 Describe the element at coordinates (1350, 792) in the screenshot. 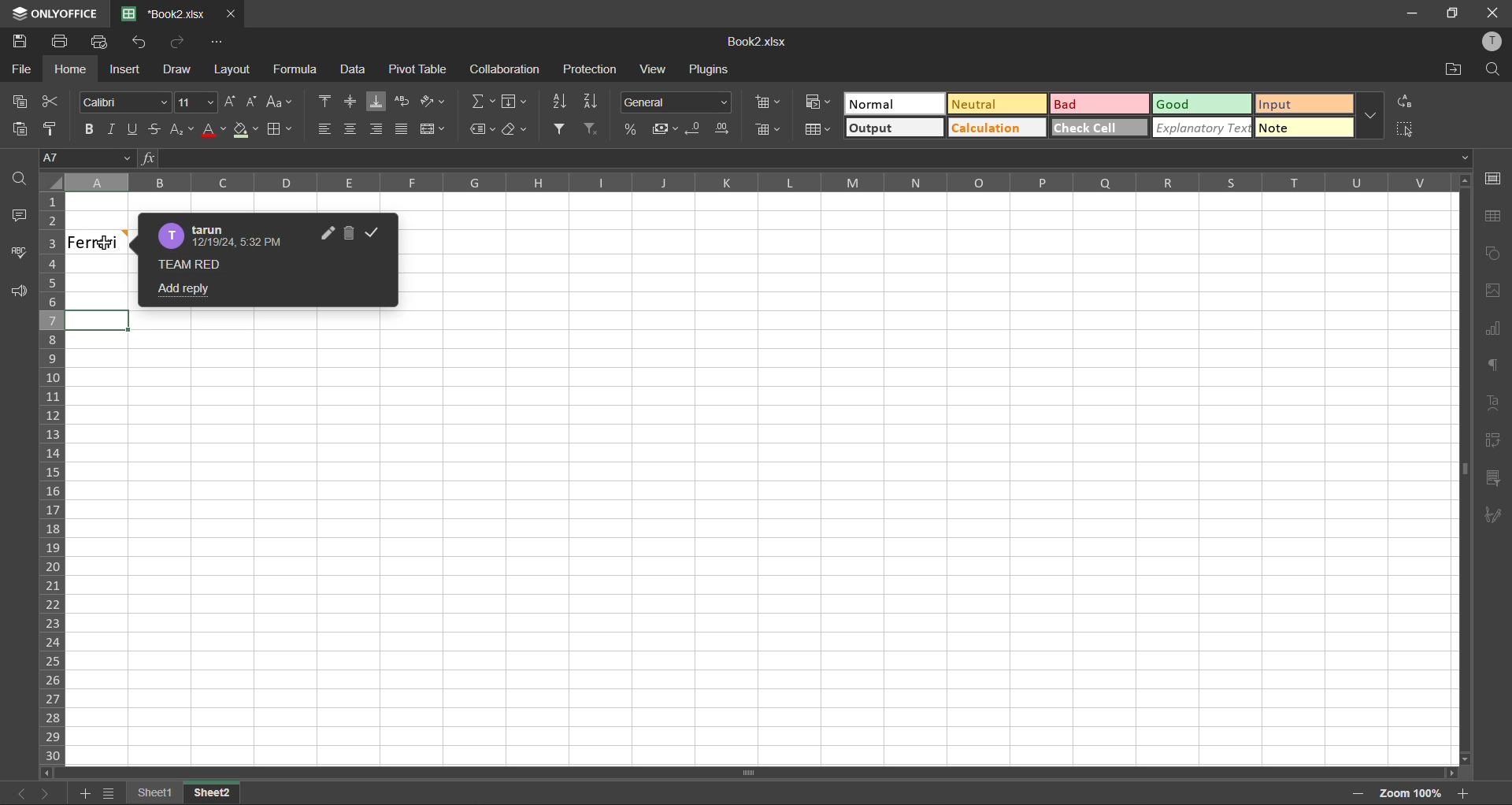

I see `zoom out` at that location.